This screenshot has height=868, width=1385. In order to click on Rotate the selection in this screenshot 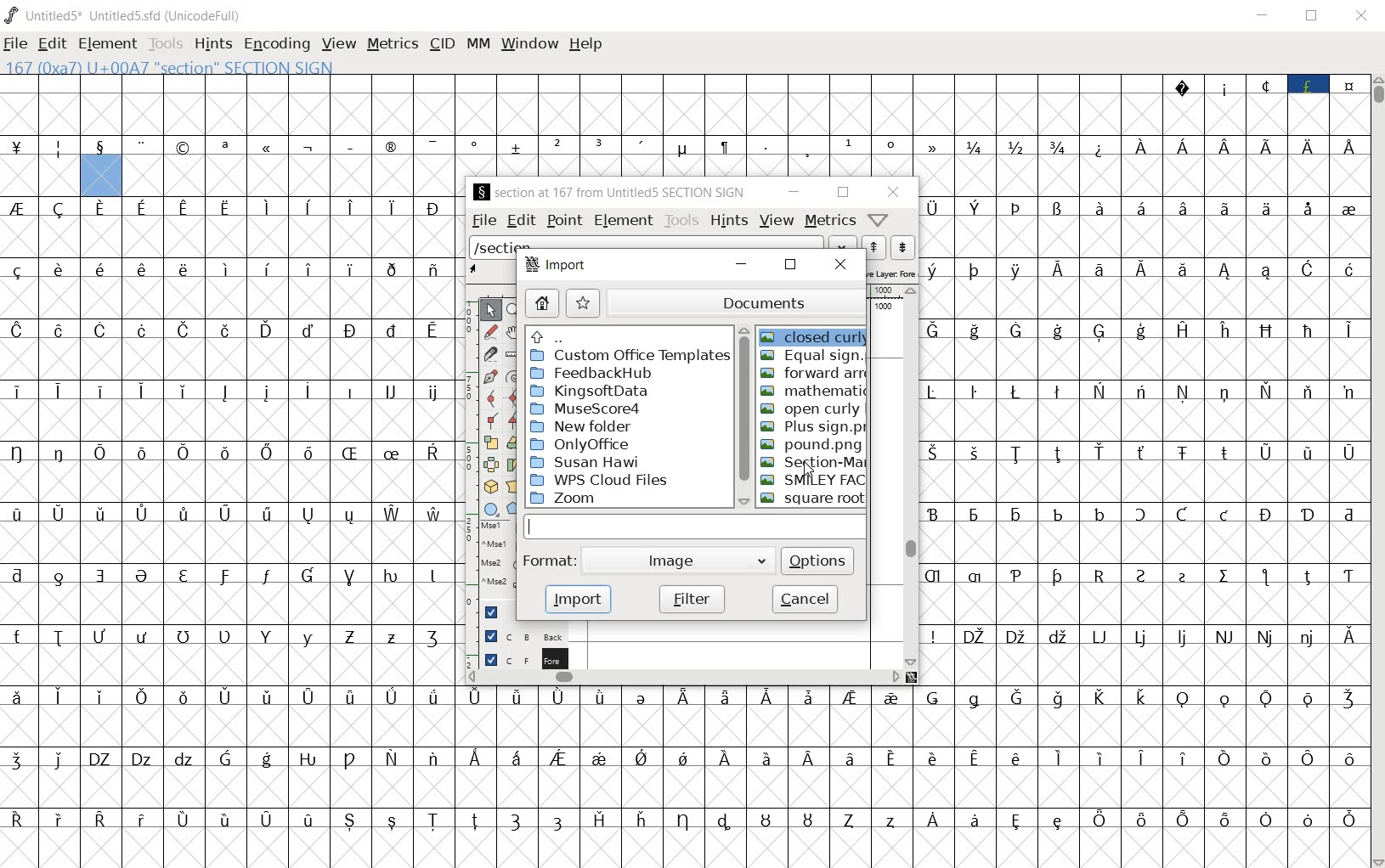, I will do `click(515, 442)`.